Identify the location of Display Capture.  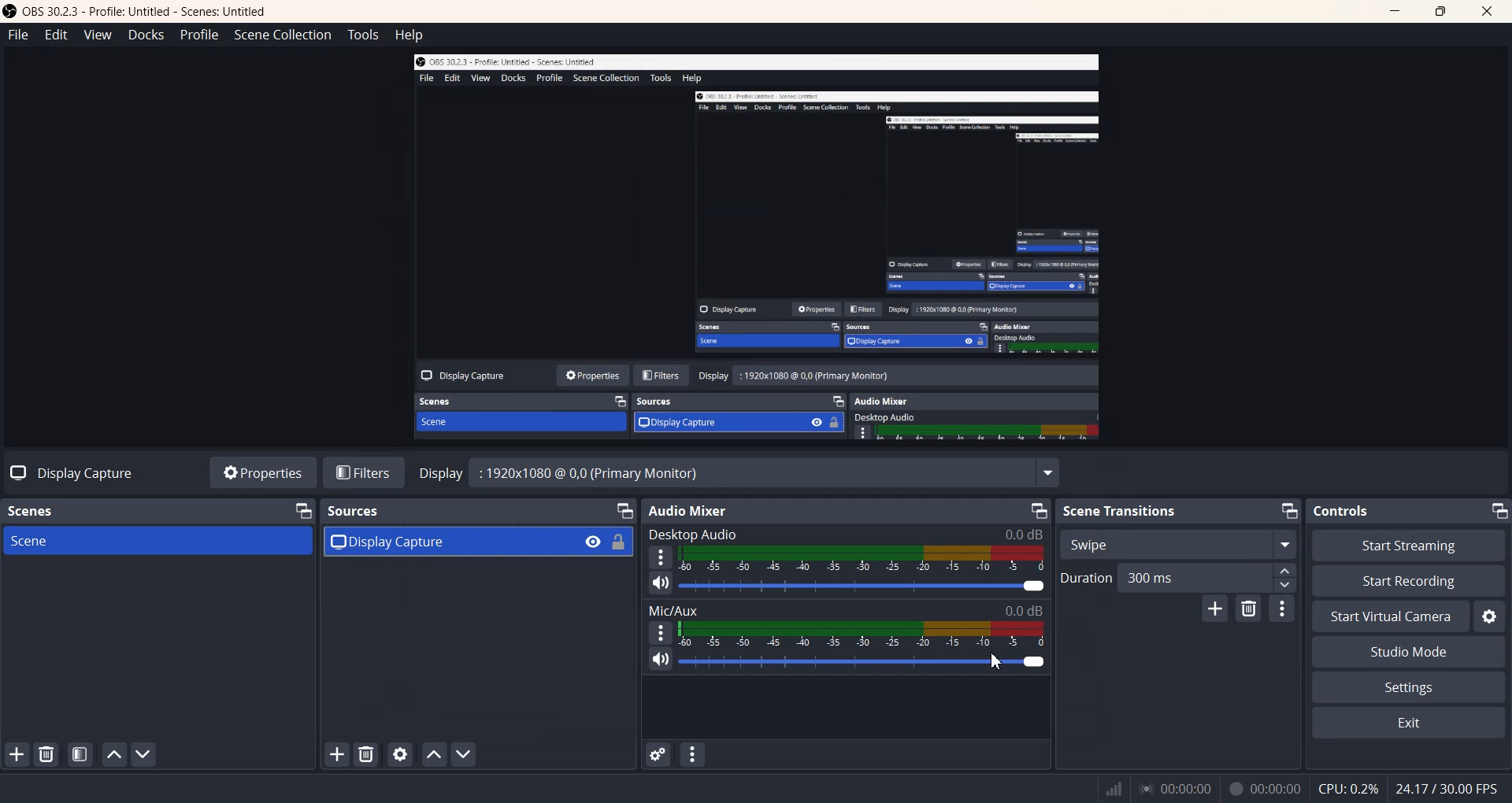
(476, 542).